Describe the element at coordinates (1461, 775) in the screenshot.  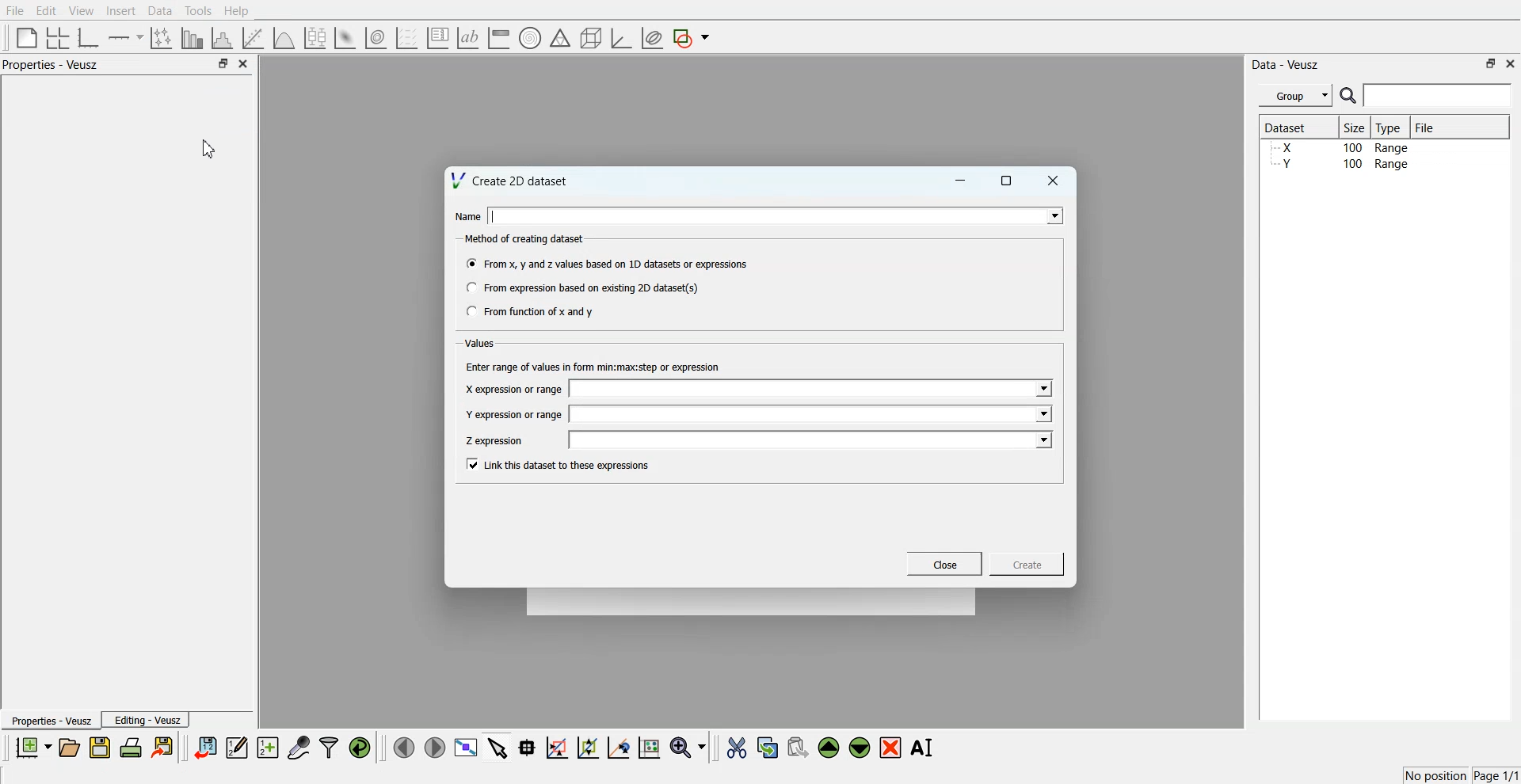
I see `No position Page 1/1` at that location.